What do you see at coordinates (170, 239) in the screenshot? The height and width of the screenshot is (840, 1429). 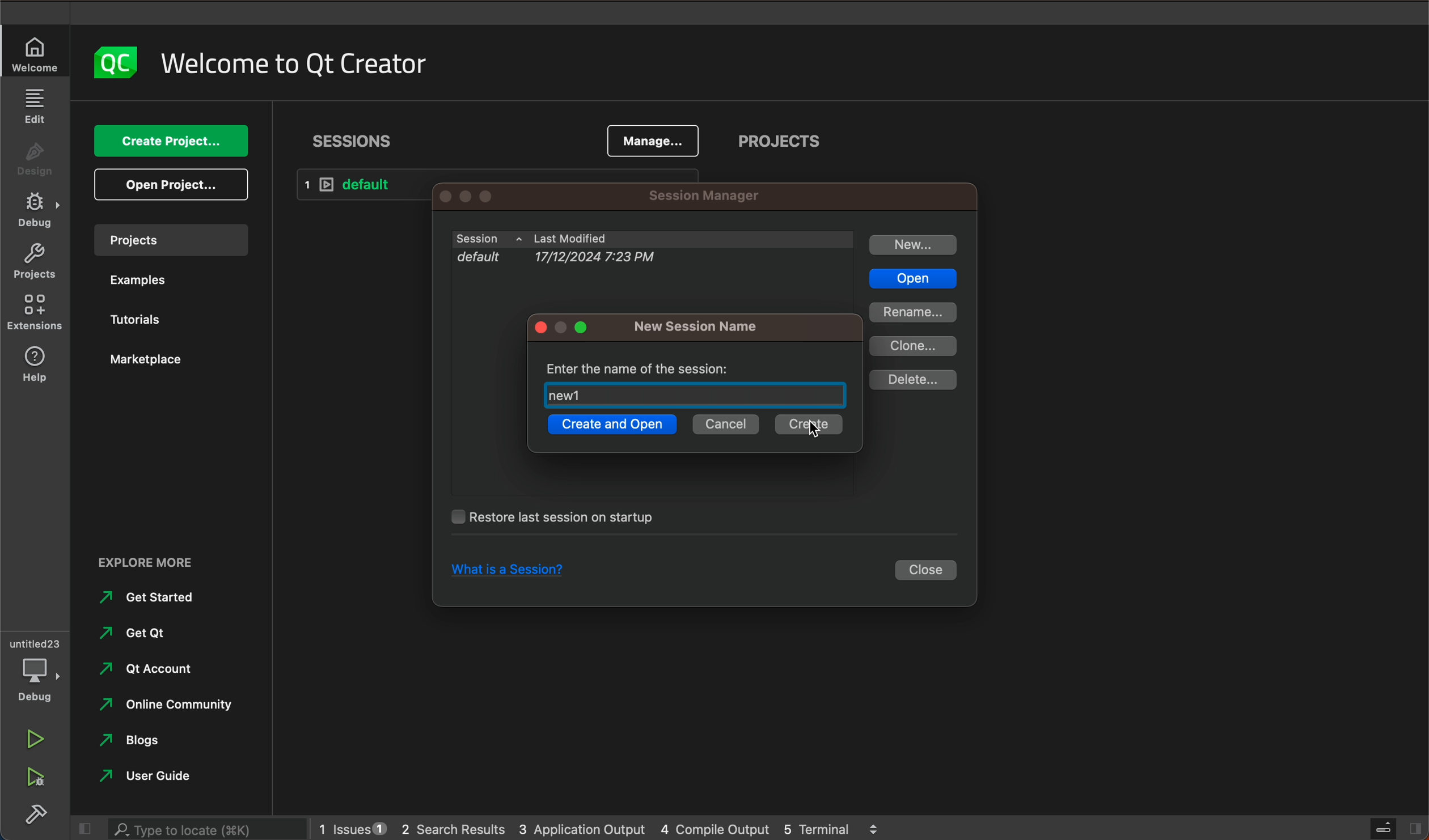 I see `project` at bounding box center [170, 239].